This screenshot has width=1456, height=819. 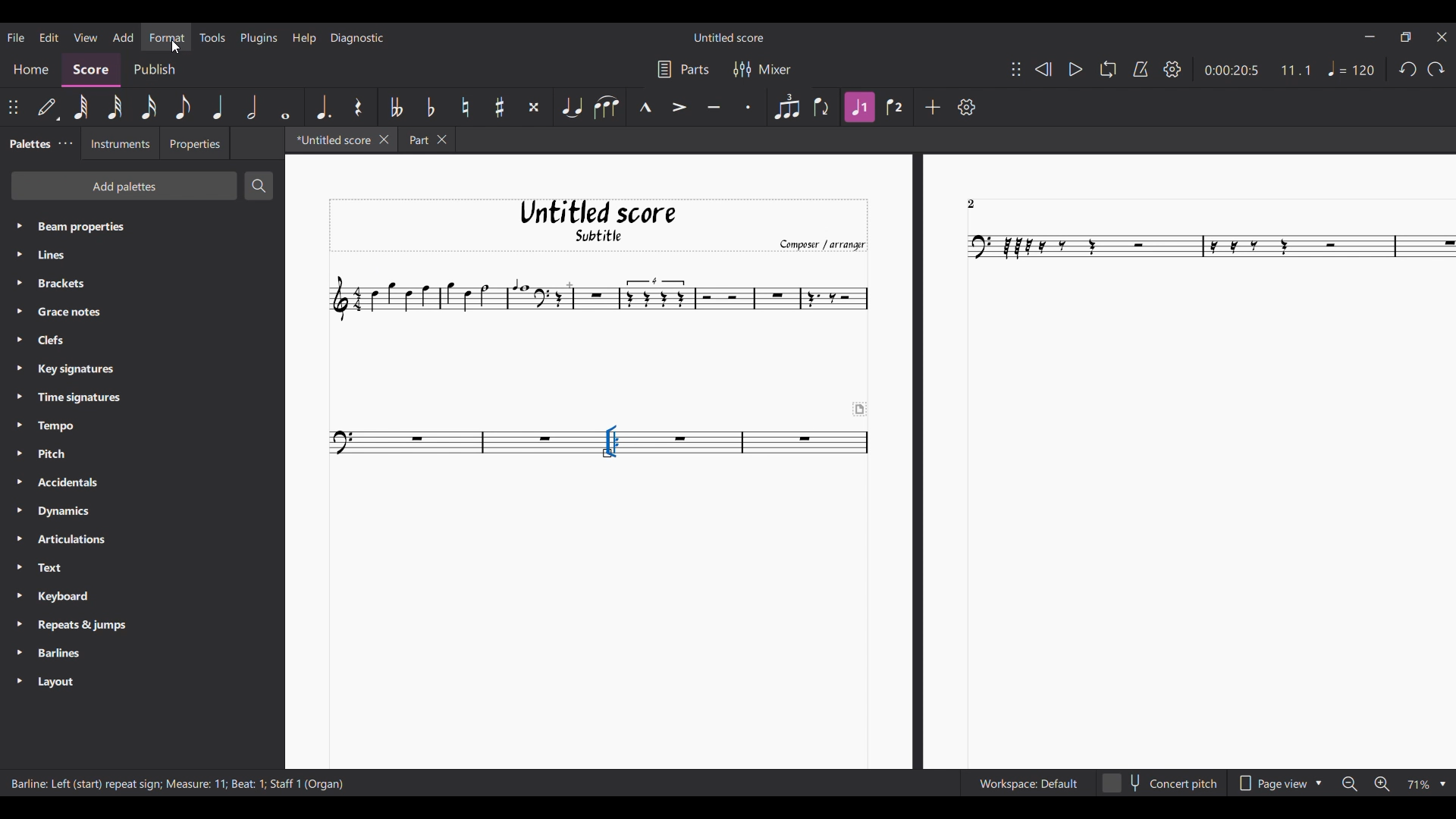 I want to click on Change position of toolbar, so click(x=1016, y=69).